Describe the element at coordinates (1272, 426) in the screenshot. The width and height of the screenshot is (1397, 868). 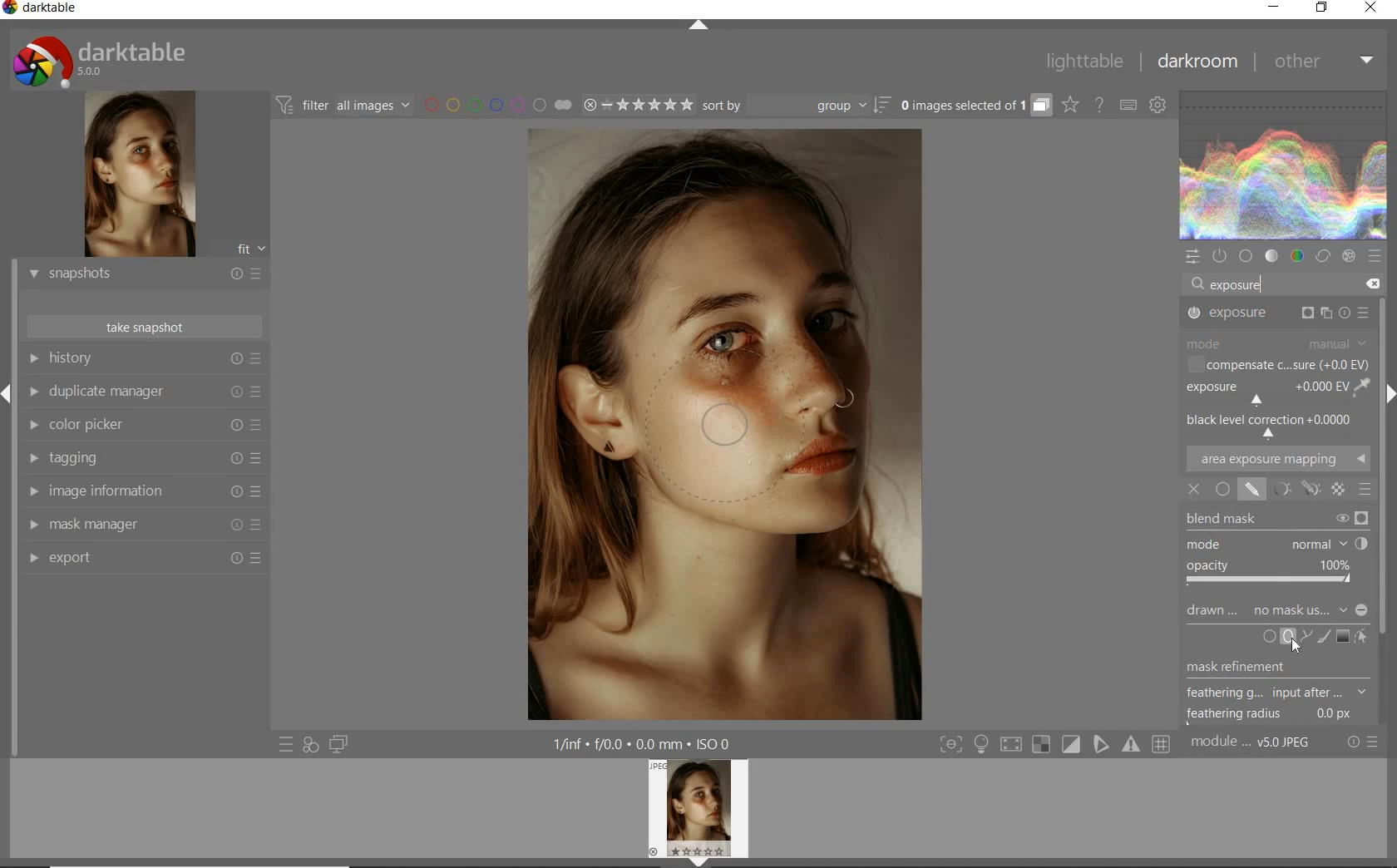
I see `BLACK LEVEL CORRECTION` at that location.